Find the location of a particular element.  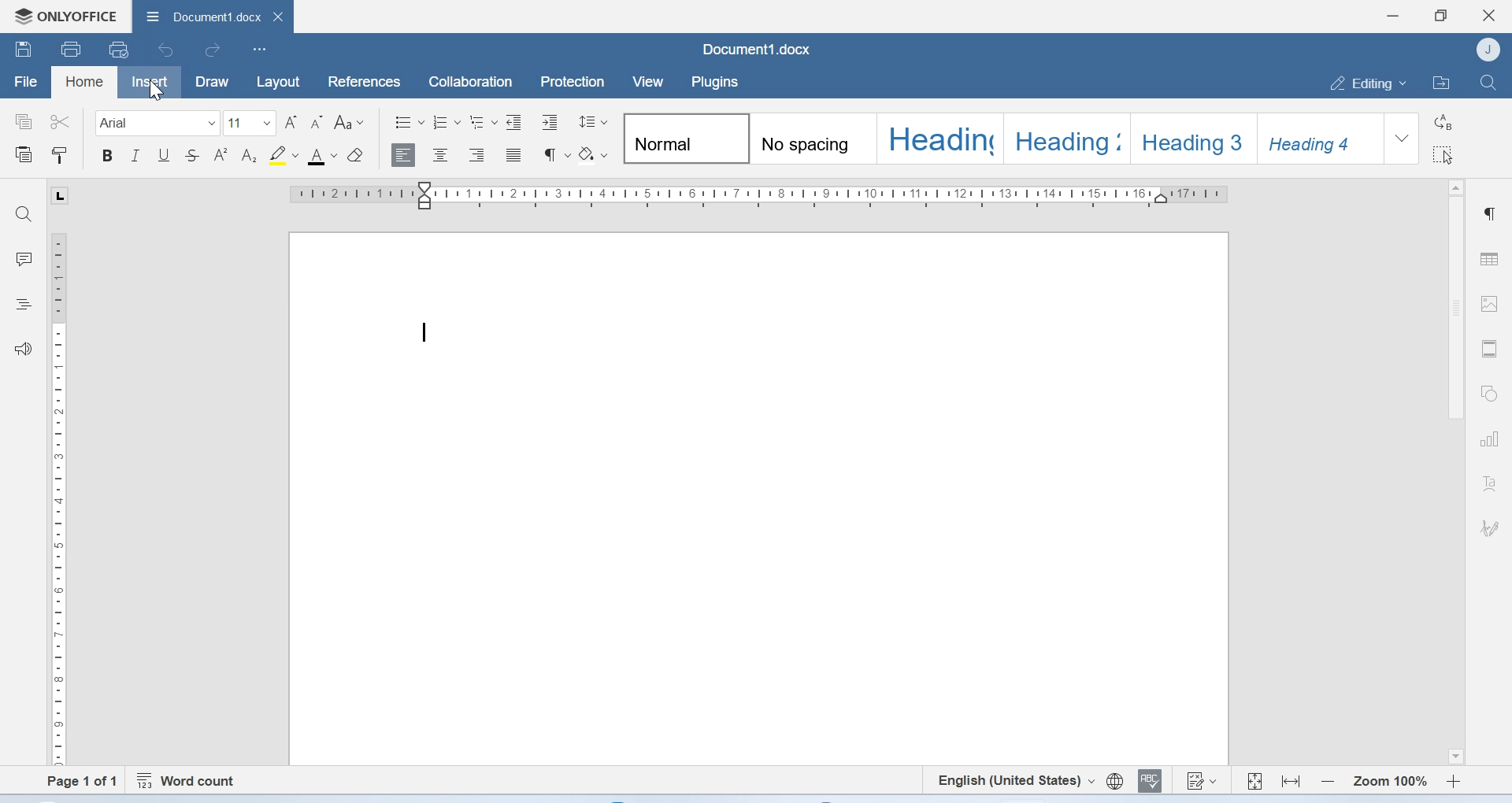

Zoom is located at coordinates (1389, 779).